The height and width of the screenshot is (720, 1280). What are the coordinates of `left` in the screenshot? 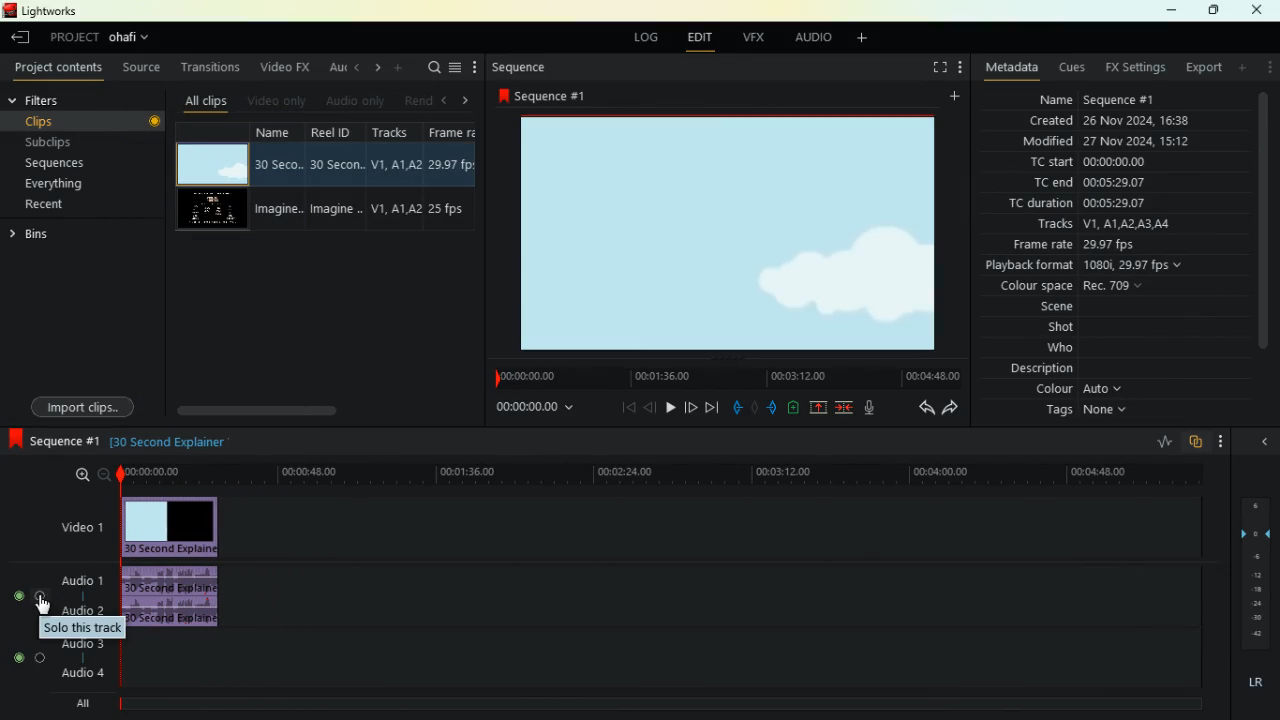 It's located at (445, 100).